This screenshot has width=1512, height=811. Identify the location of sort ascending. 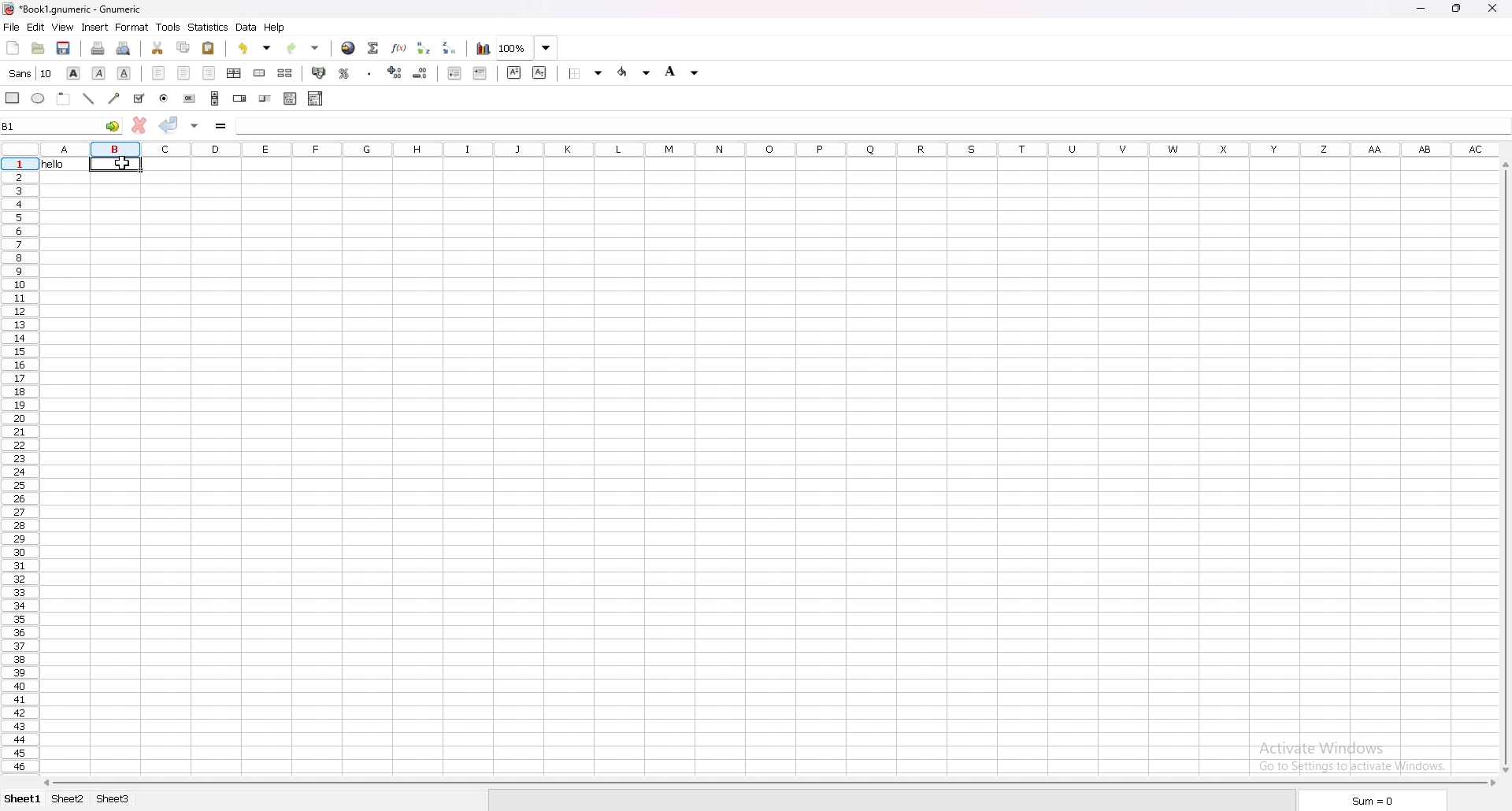
(424, 47).